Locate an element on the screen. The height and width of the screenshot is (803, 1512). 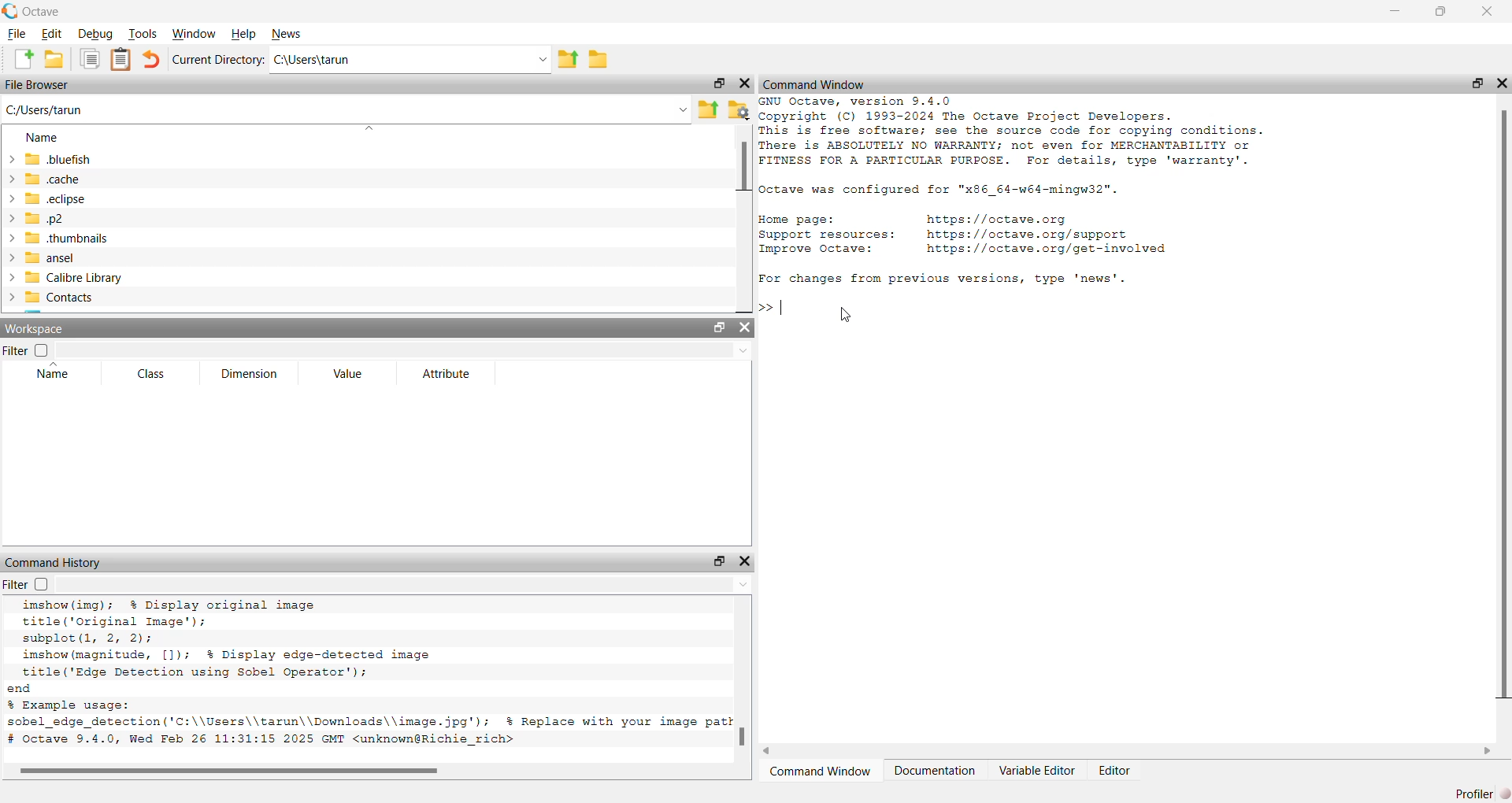
 Contacts is located at coordinates (54, 298).